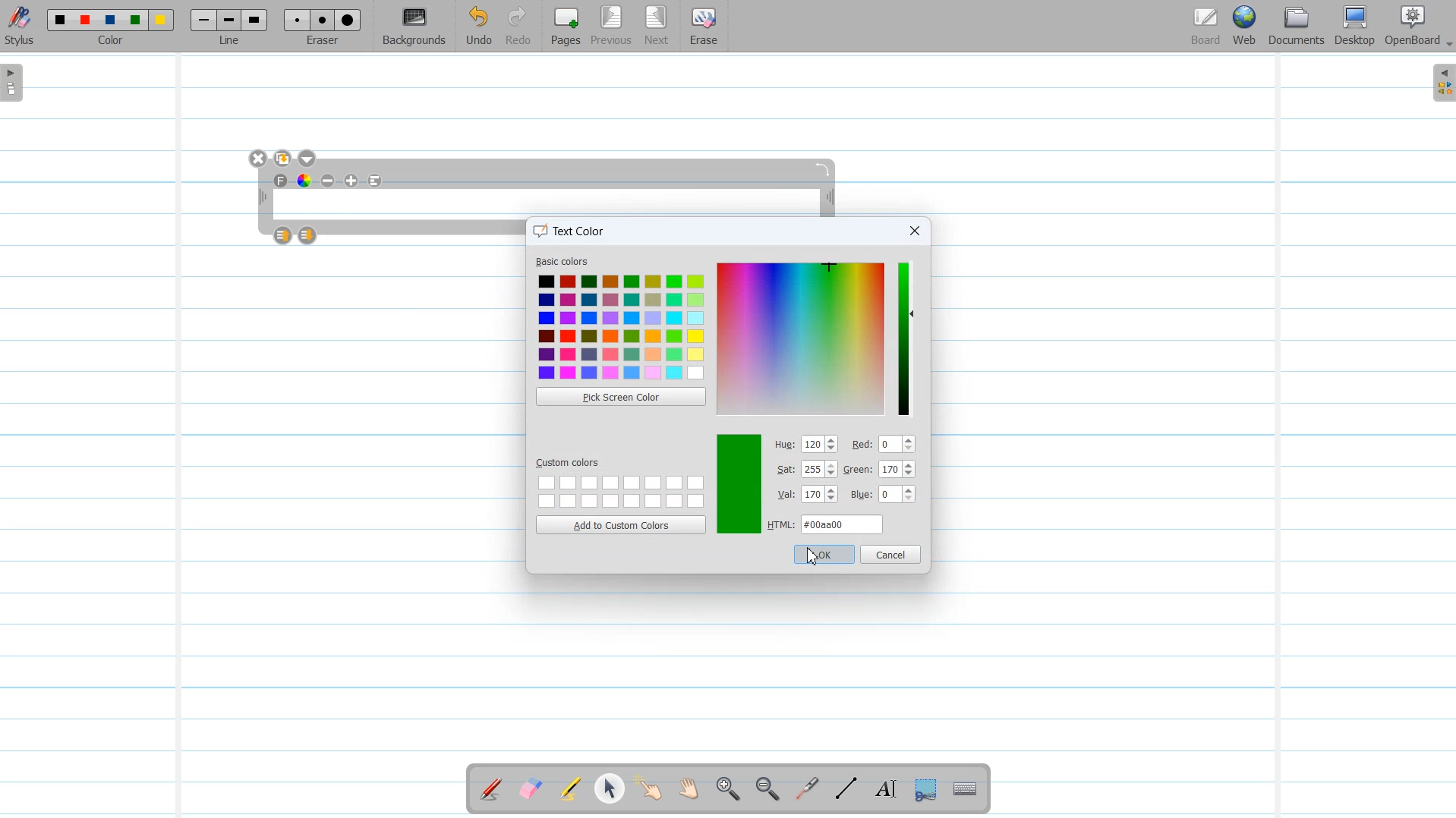 Image resolution: width=1456 pixels, height=818 pixels. What do you see at coordinates (478, 27) in the screenshot?
I see `Undo` at bounding box center [478, 27].